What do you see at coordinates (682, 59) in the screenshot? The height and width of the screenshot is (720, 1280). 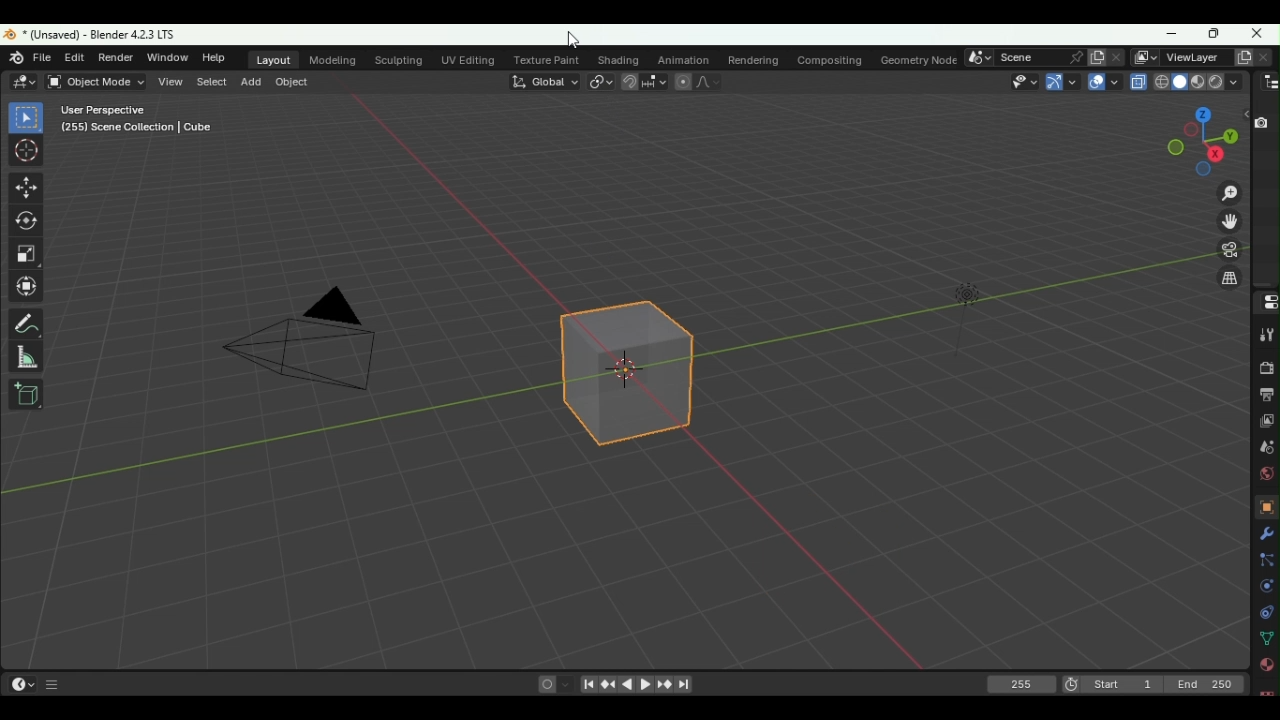 I see `Animation` at bounding box center [682, 59].